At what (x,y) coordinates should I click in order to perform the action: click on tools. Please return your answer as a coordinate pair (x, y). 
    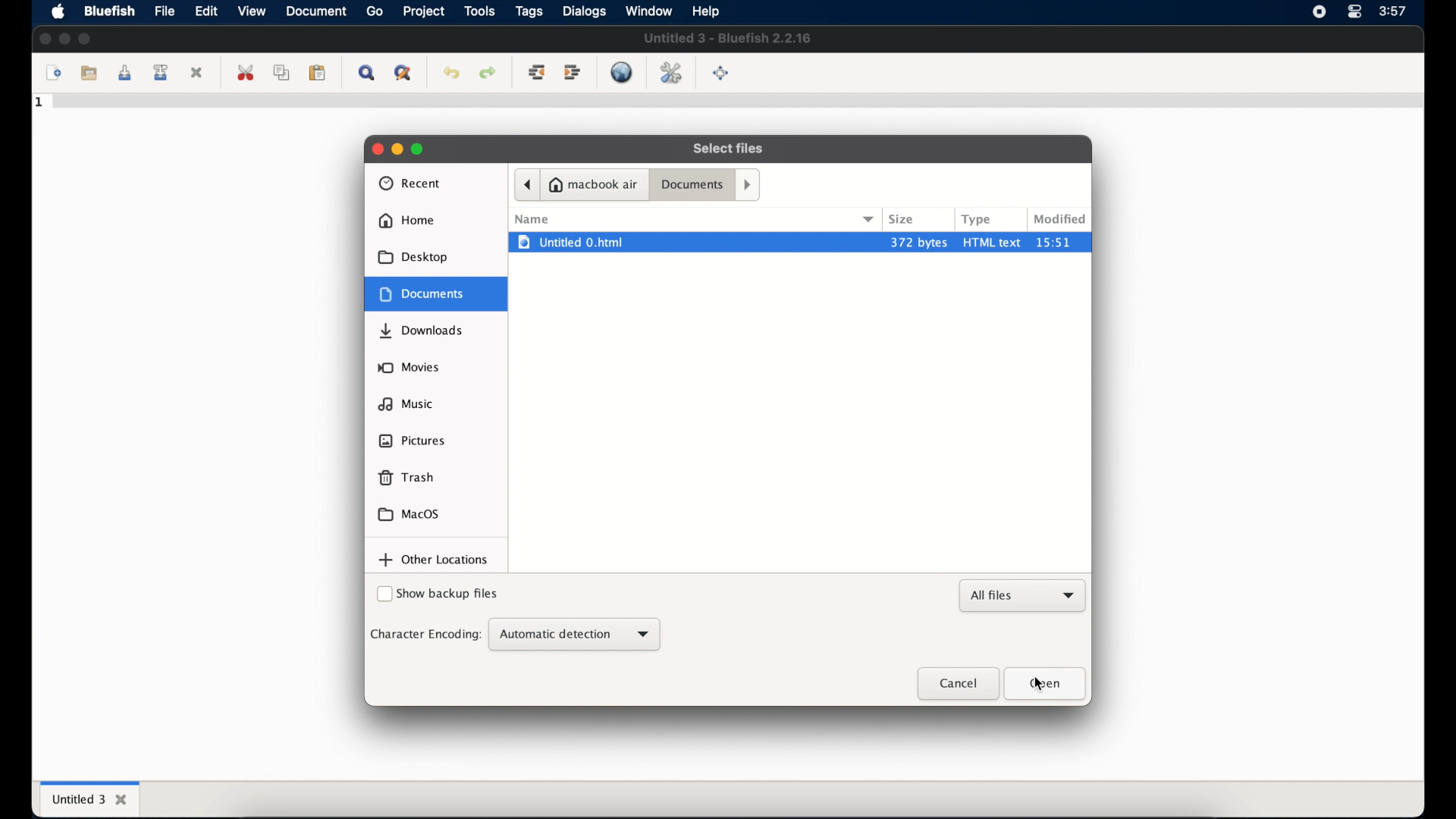
    Looking at the image, I should click on (479, 11).